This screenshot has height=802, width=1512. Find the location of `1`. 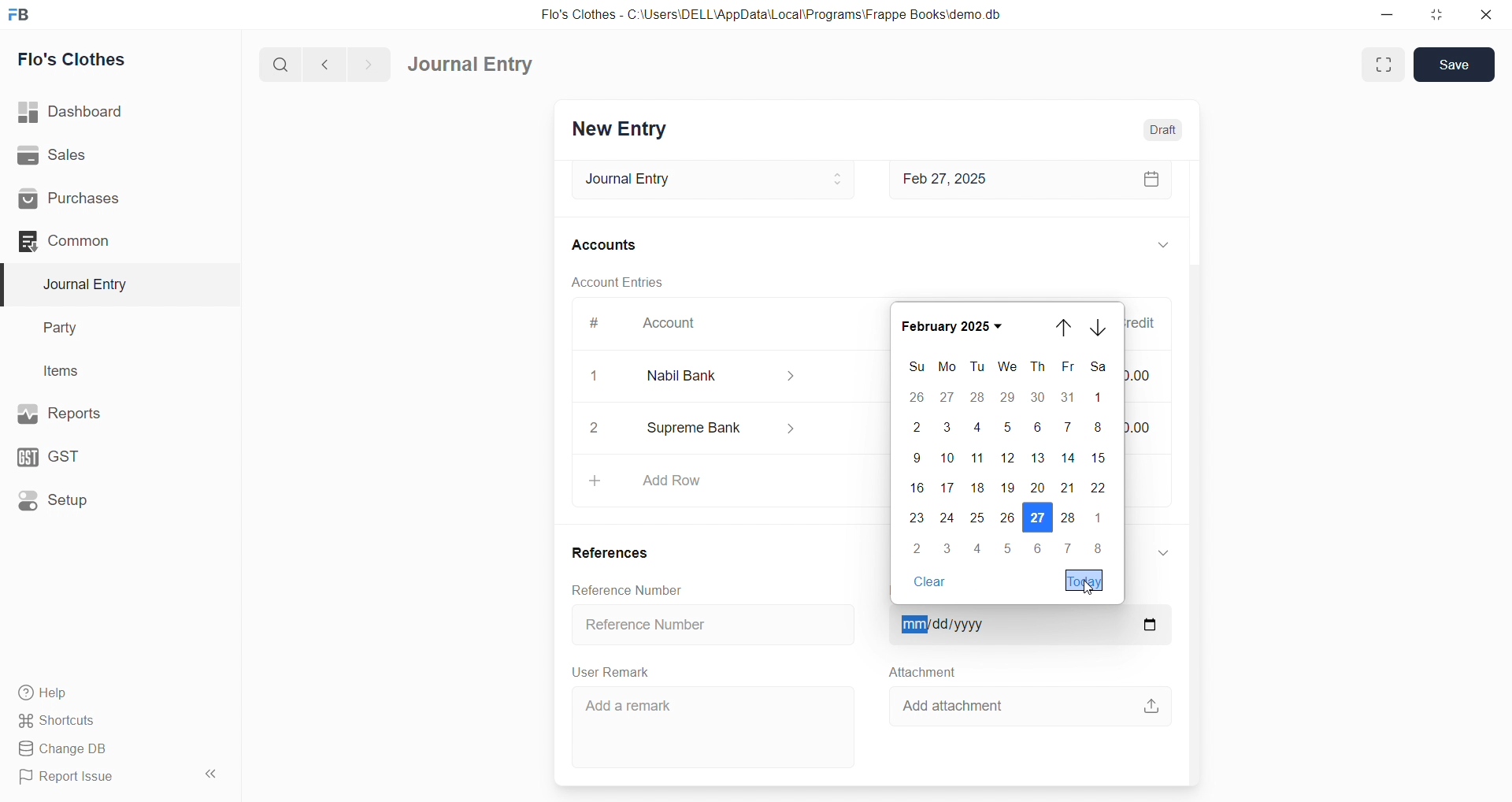

1 is located at coordinates (1097, 518).